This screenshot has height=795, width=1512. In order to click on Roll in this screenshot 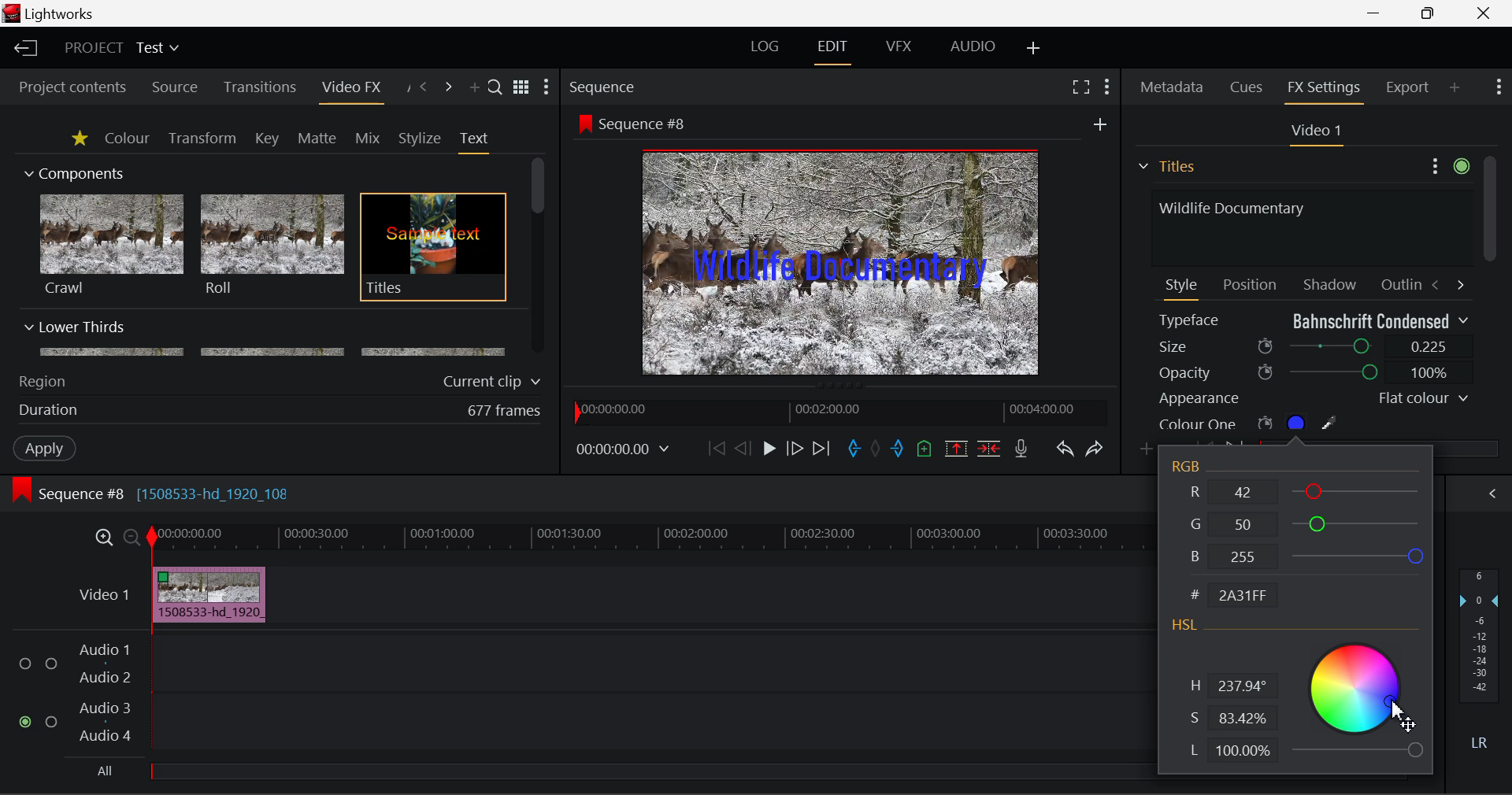, I will do `click(271, 246)`.